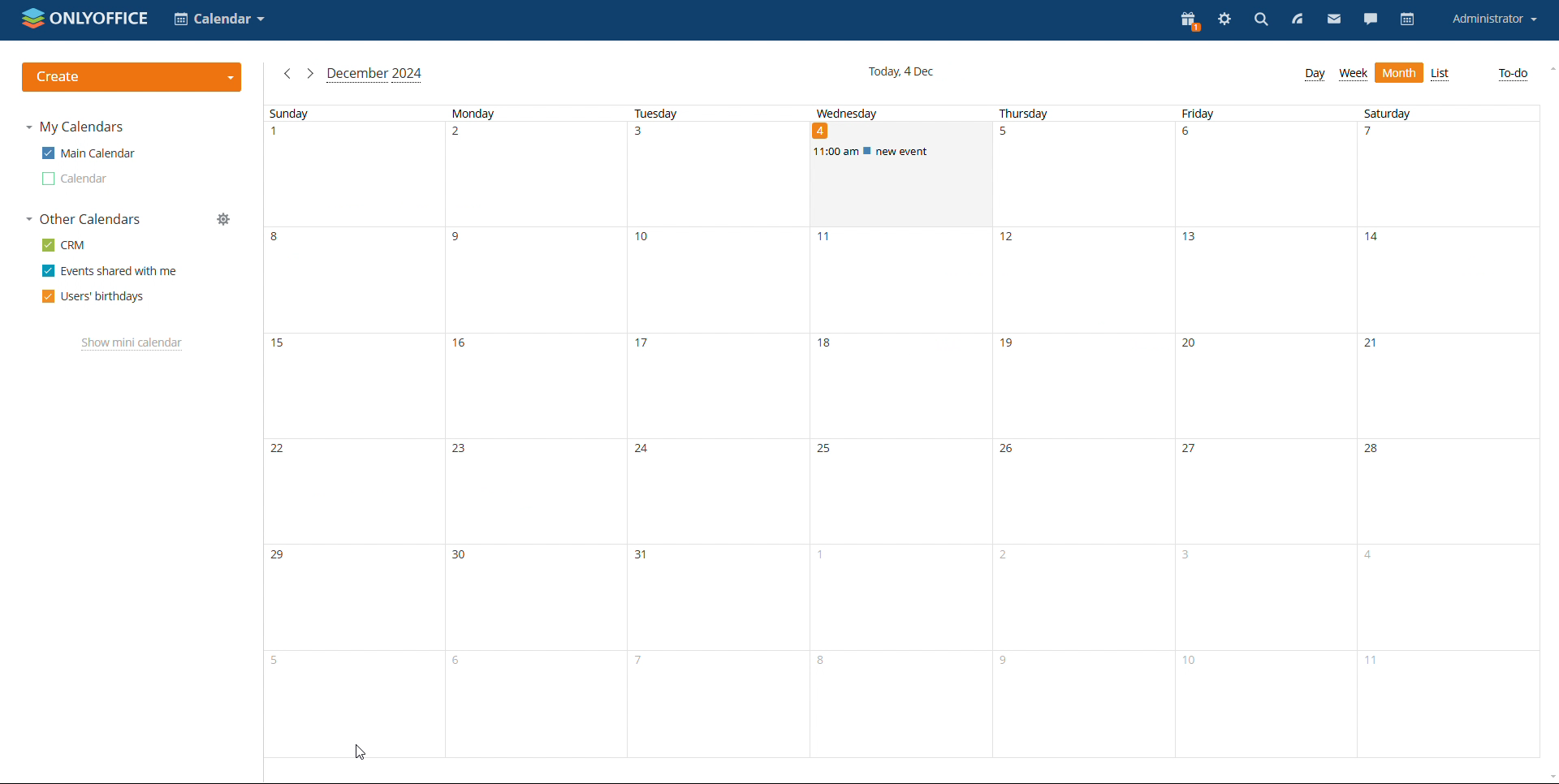  I want to click on feed, so click(1298, 20).